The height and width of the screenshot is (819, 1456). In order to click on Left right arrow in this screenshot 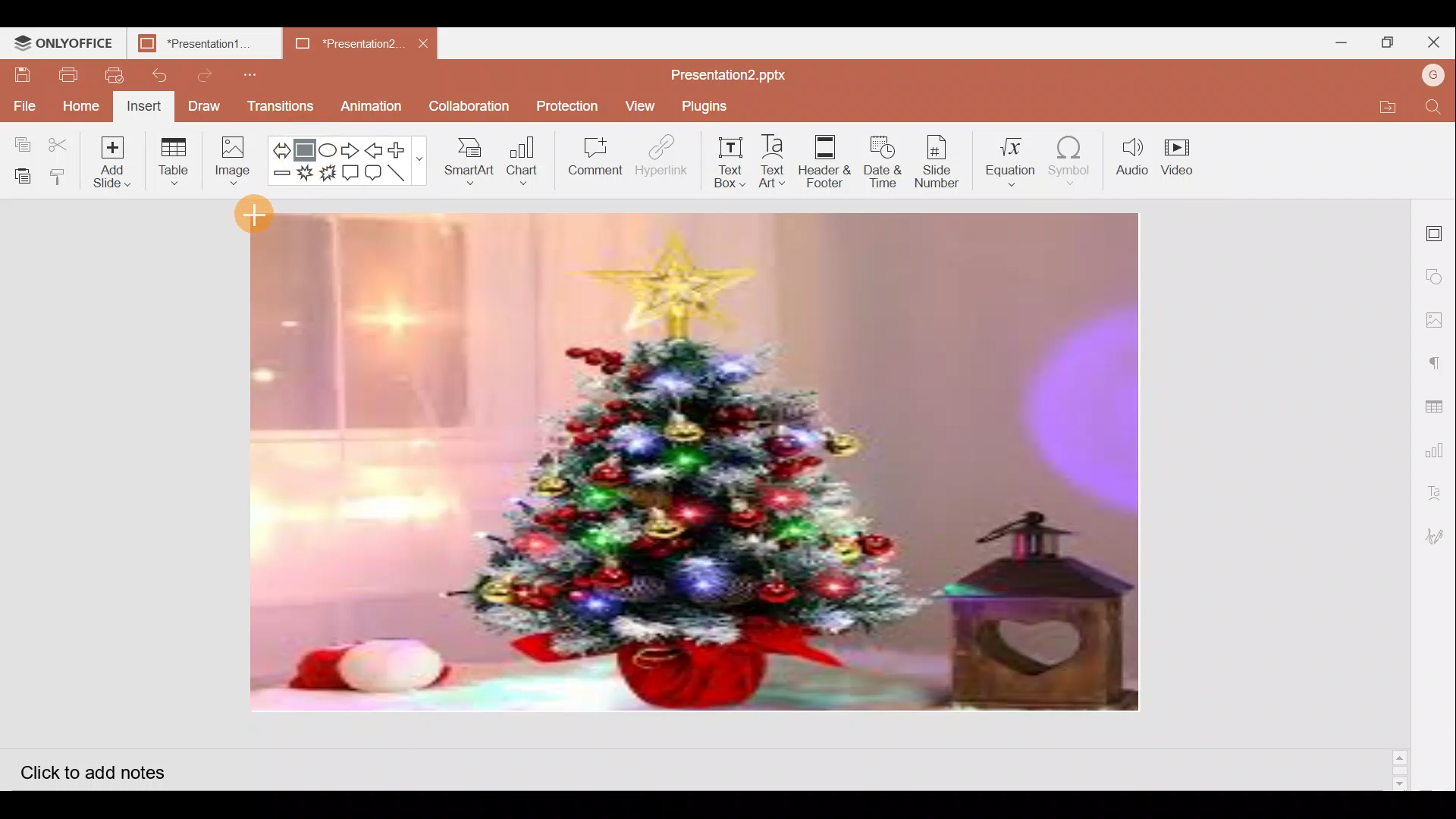, I will do `click(281, 146)`.